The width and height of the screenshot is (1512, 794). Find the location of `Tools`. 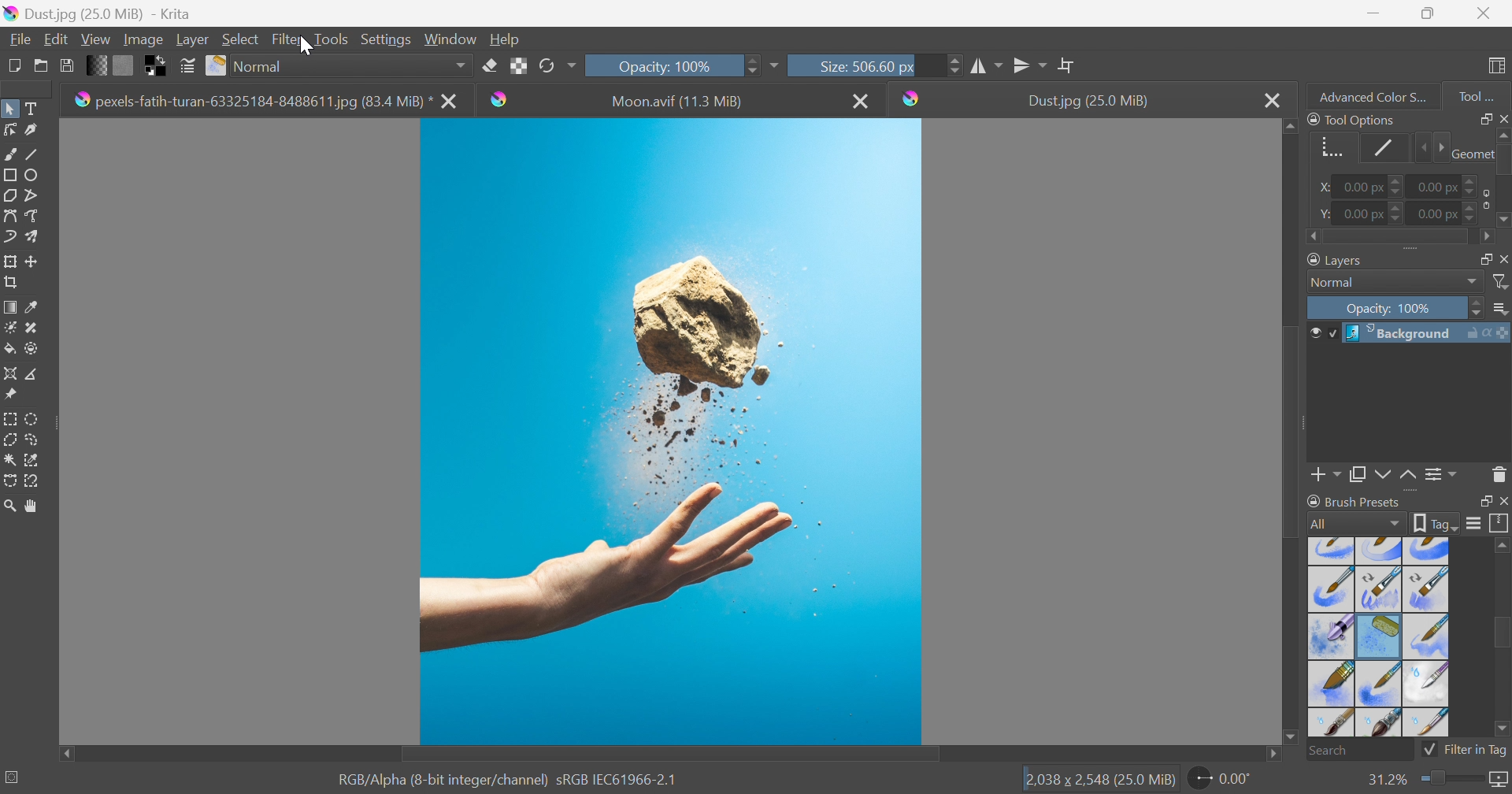

Tools is located at coordinates (331, 38).